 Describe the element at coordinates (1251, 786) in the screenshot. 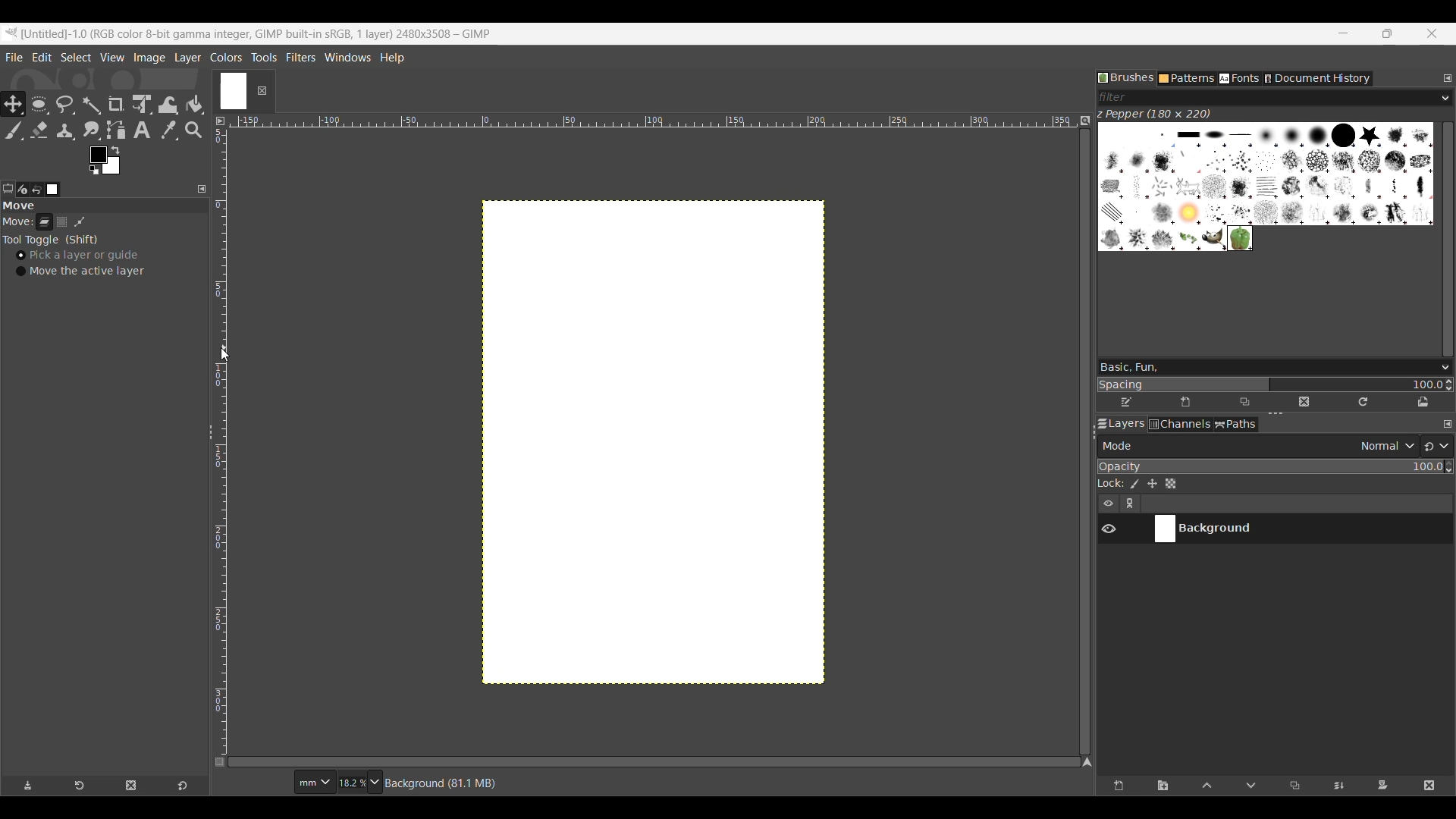

I see `Move layer one step down` at that location.